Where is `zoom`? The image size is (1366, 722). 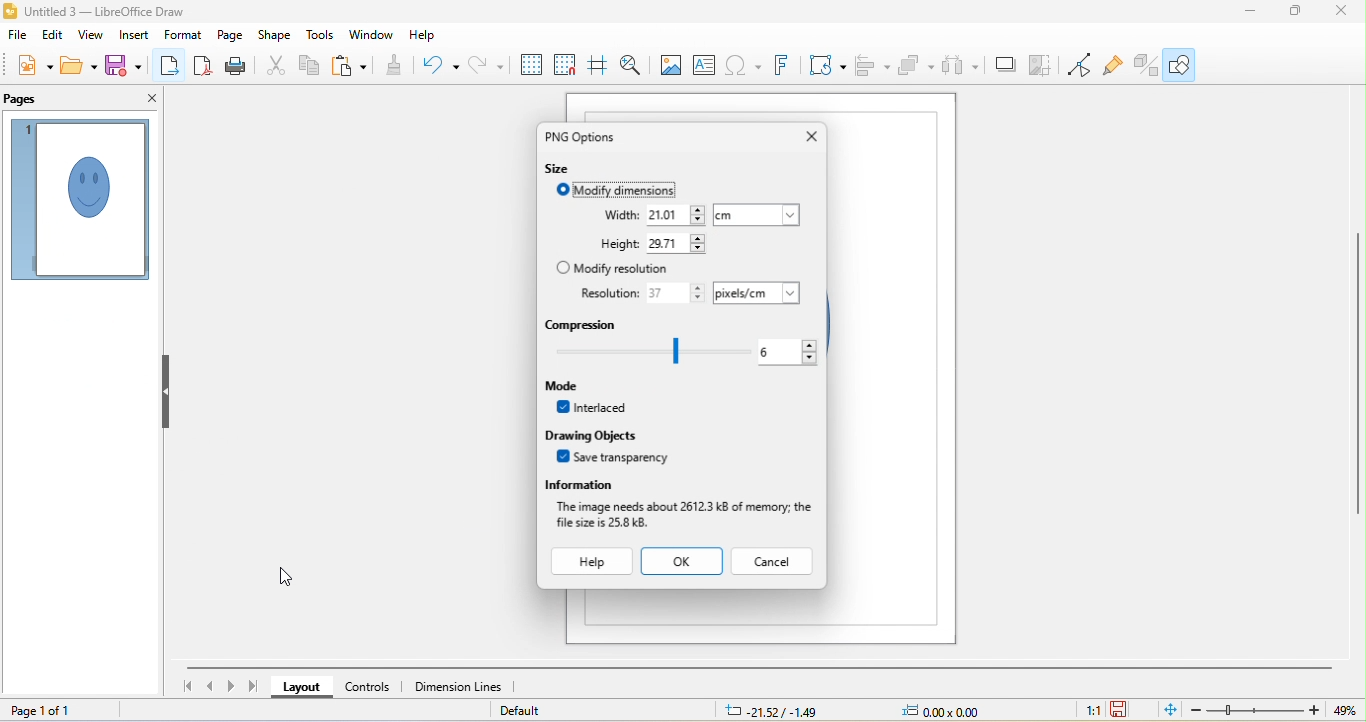 zoom is located at coordinates (1274, 709).